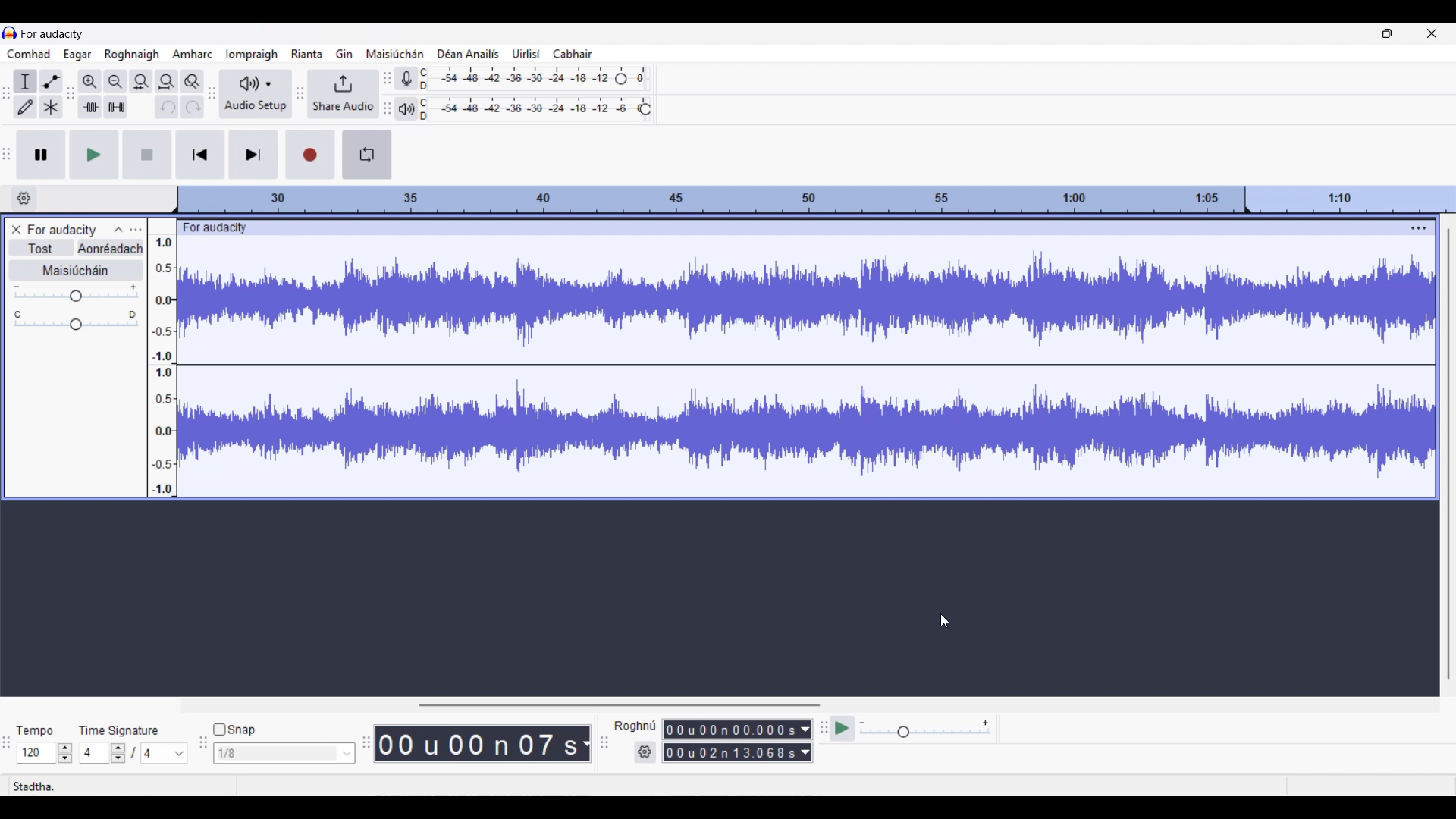 This screenshot has height=819, width=1456. I want to click on Timeline options, so click(24, 199).